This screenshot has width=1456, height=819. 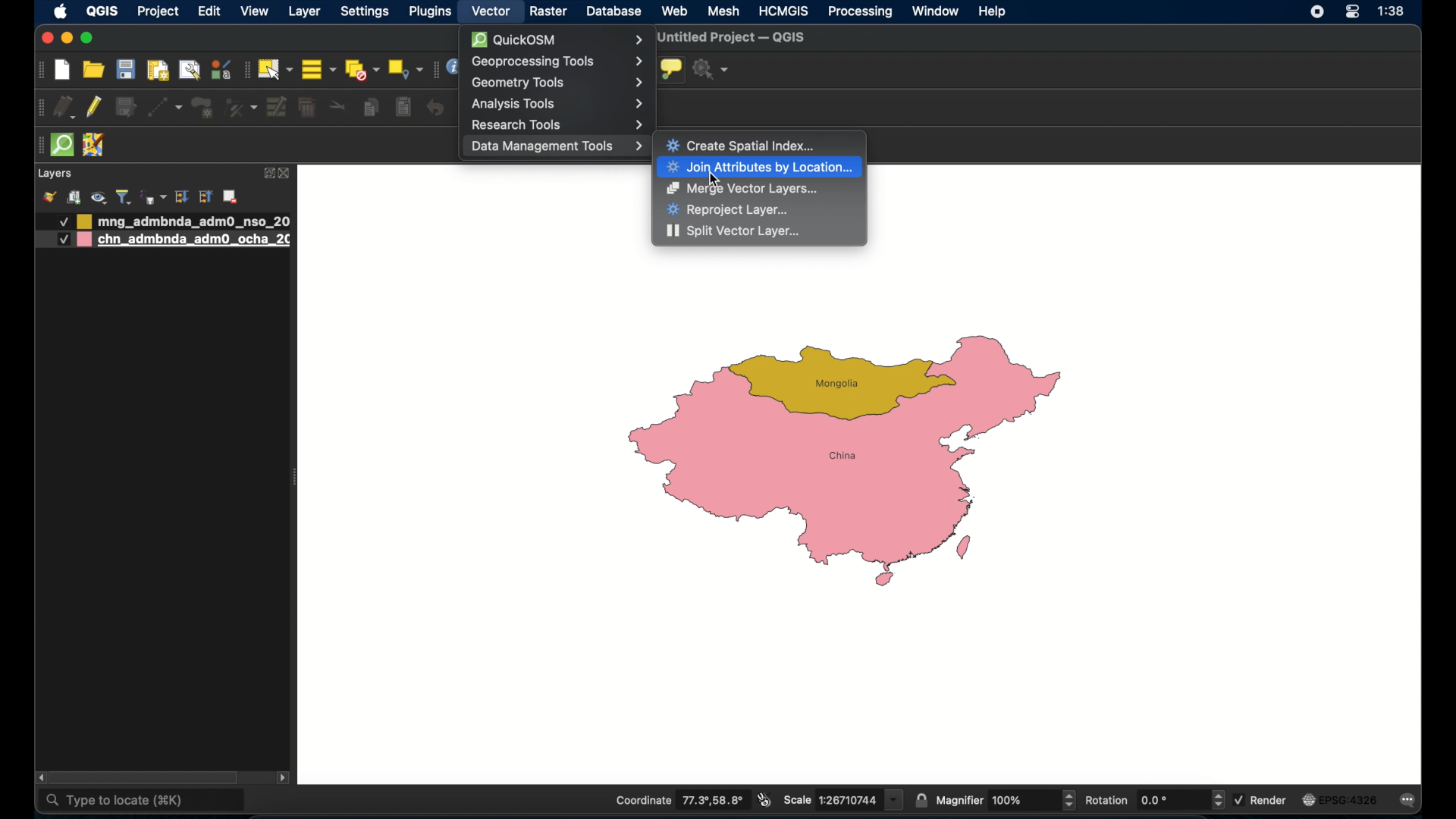 What do you see at coordinates (429, 12) in the screenshot?
I see `plugins` at bounding box center [429, 12].